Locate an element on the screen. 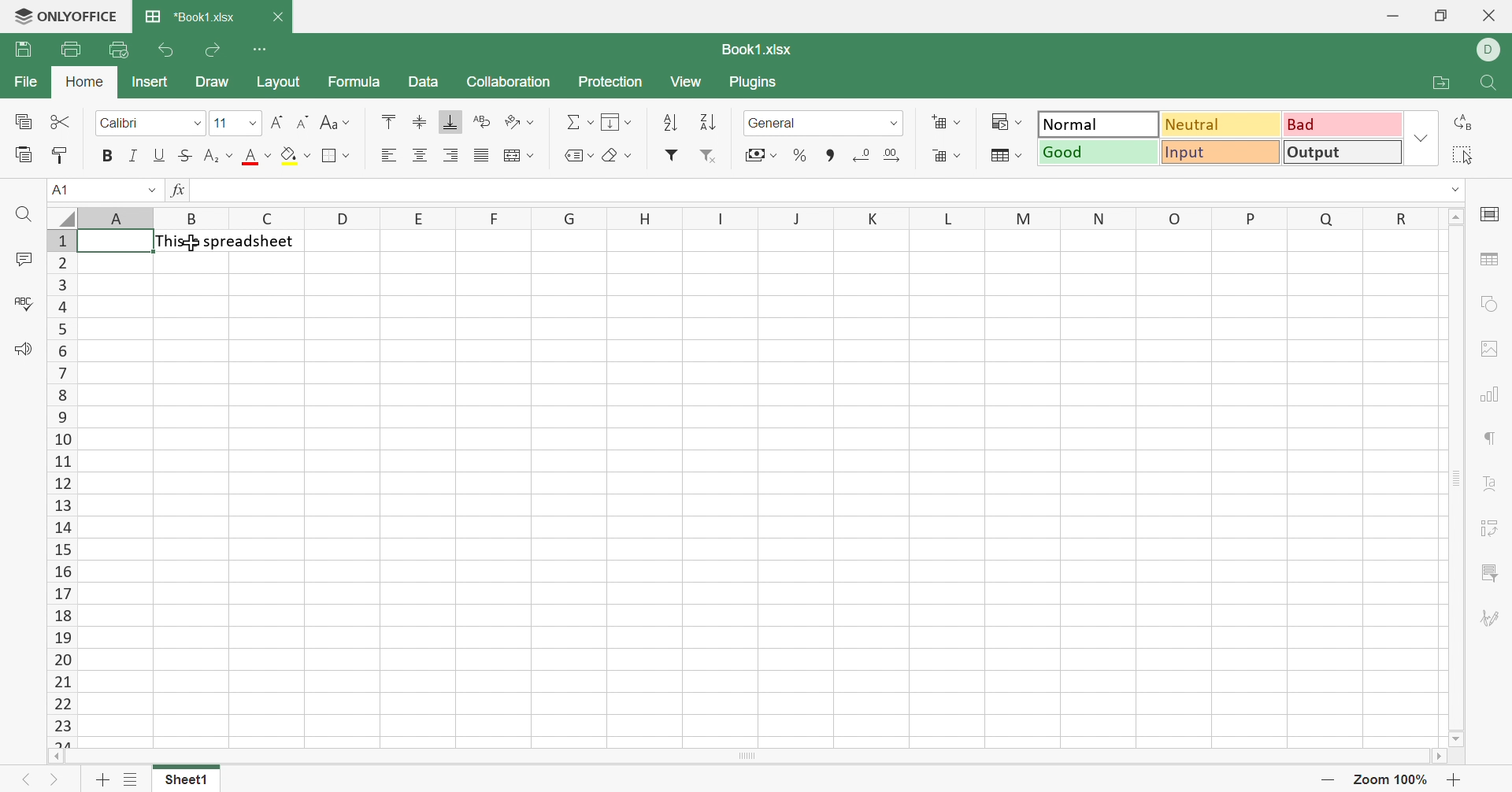 The height and width of the screenshot is (792, 1512). Align Middle is located at coordinates (419, 121).